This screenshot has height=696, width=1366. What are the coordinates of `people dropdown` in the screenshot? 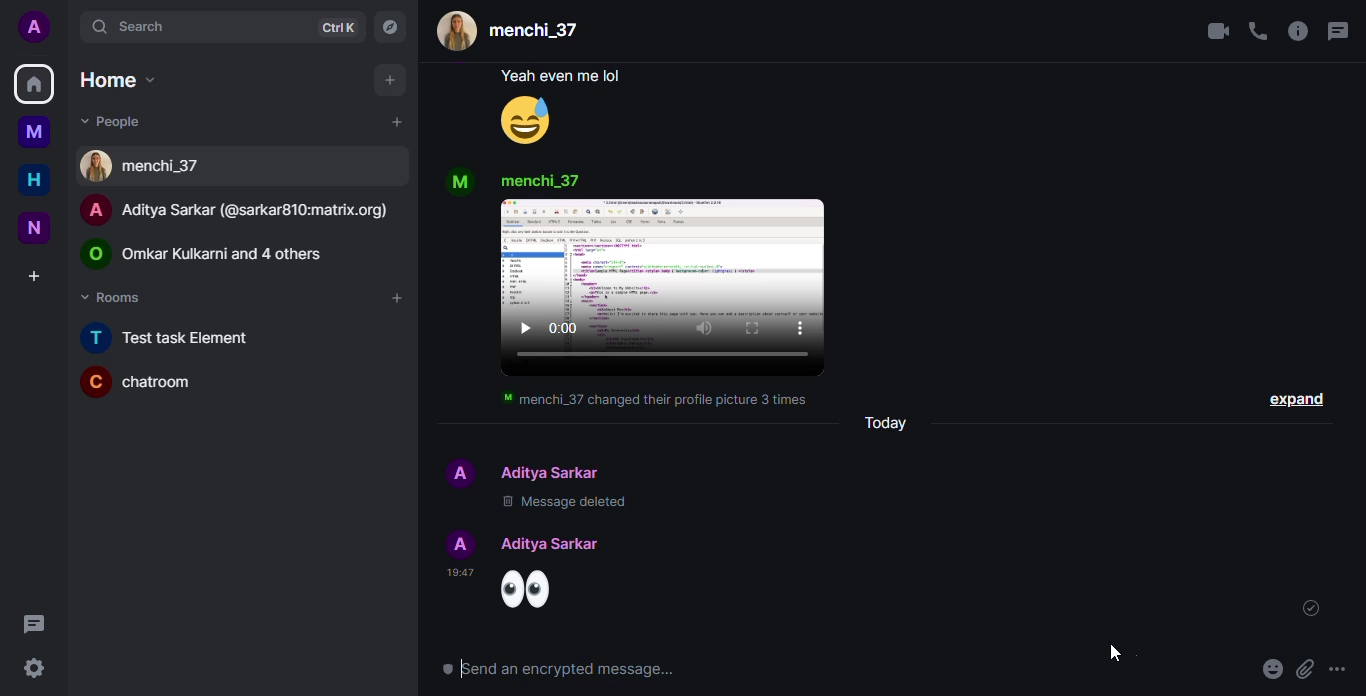 It's located at (113, 120).